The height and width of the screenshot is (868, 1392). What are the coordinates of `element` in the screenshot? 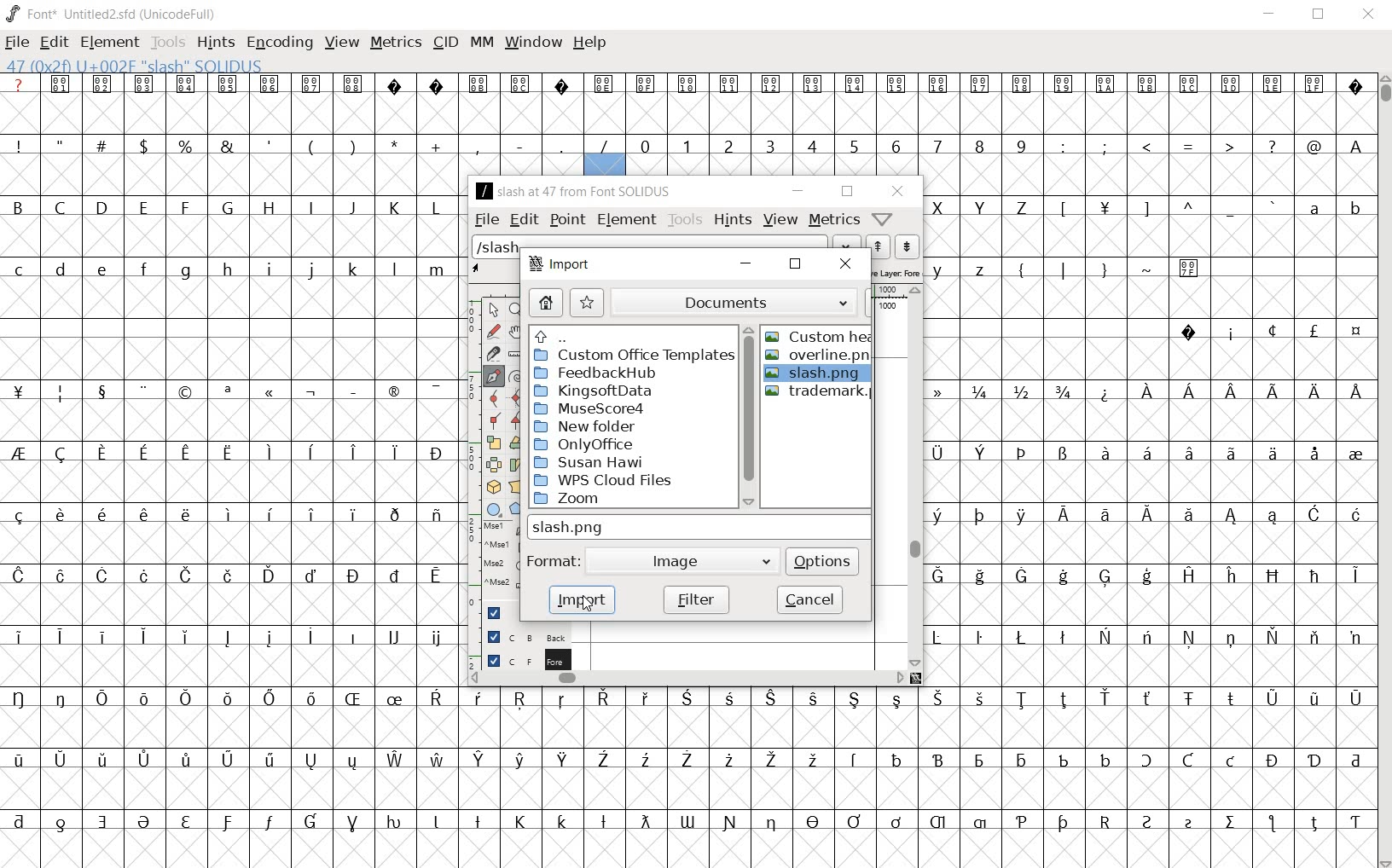 It's located at (625, 219).